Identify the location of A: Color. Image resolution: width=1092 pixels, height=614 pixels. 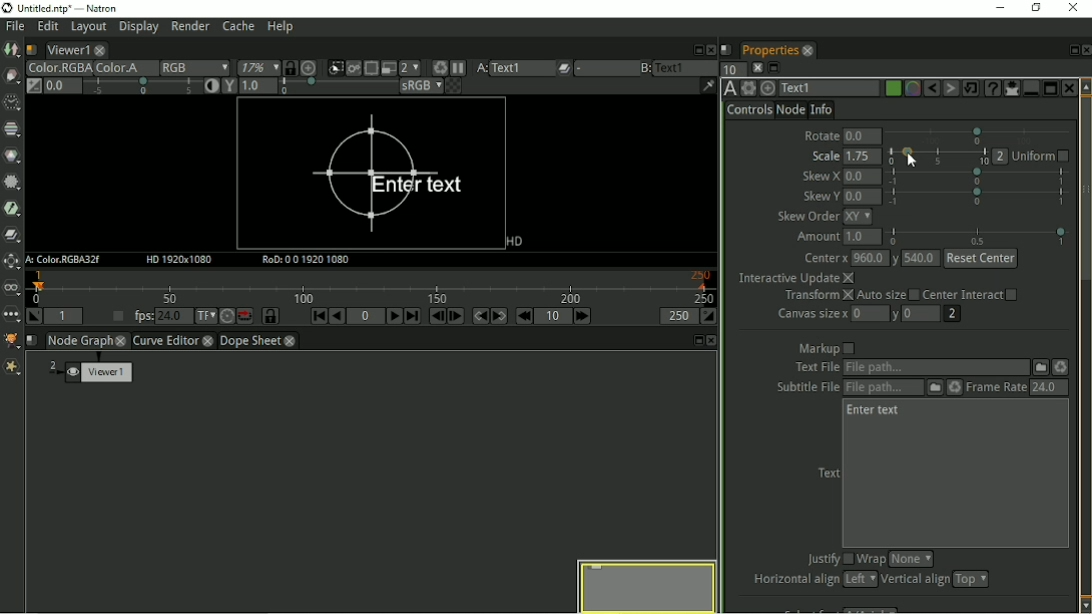
(65, 259).